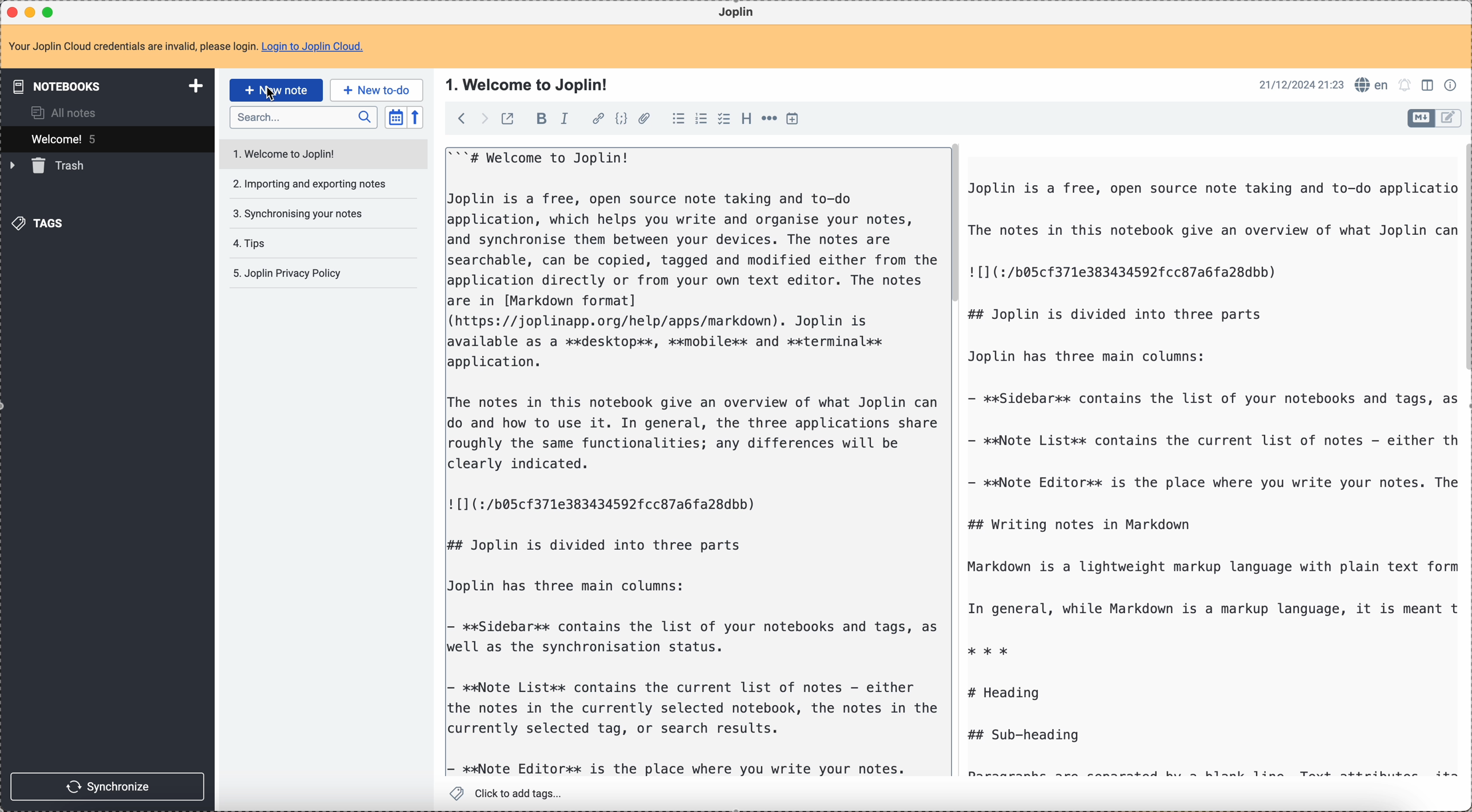  I want to click on body text, so click(1209, 475).